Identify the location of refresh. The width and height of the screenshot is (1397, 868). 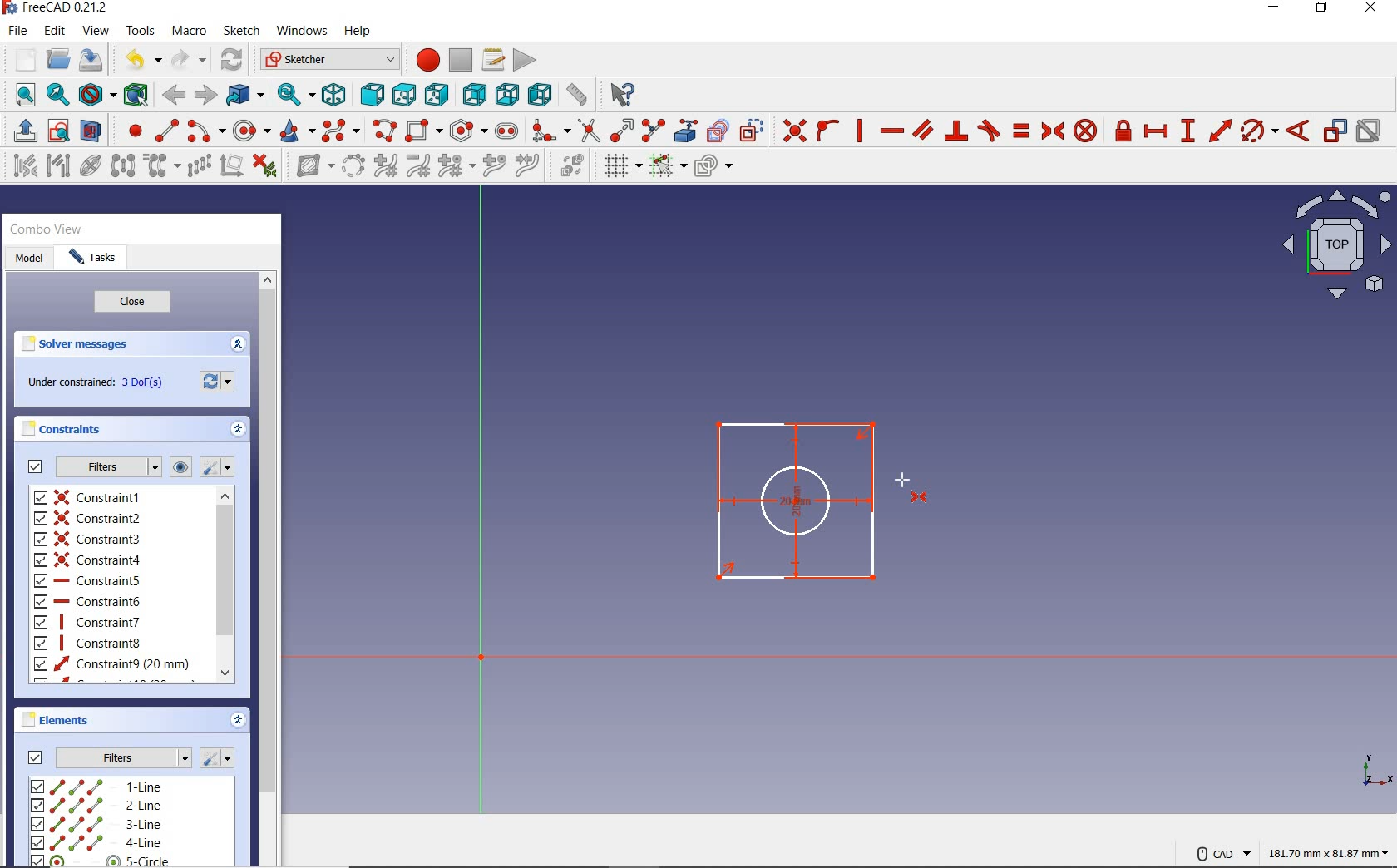
(233, 60).